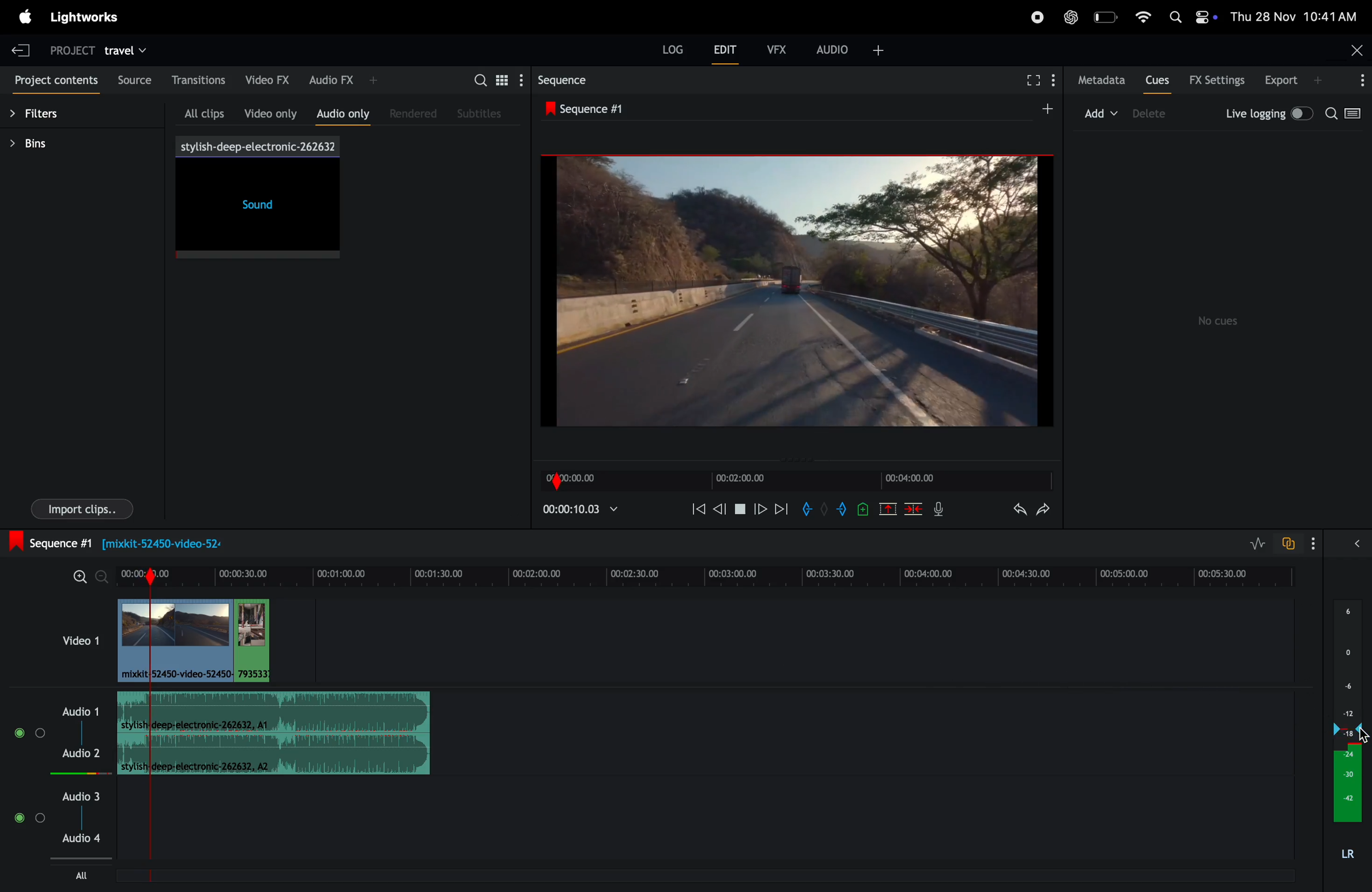 This screenshot has height=892, width=1372. I want to click on source, so click(131, 79).